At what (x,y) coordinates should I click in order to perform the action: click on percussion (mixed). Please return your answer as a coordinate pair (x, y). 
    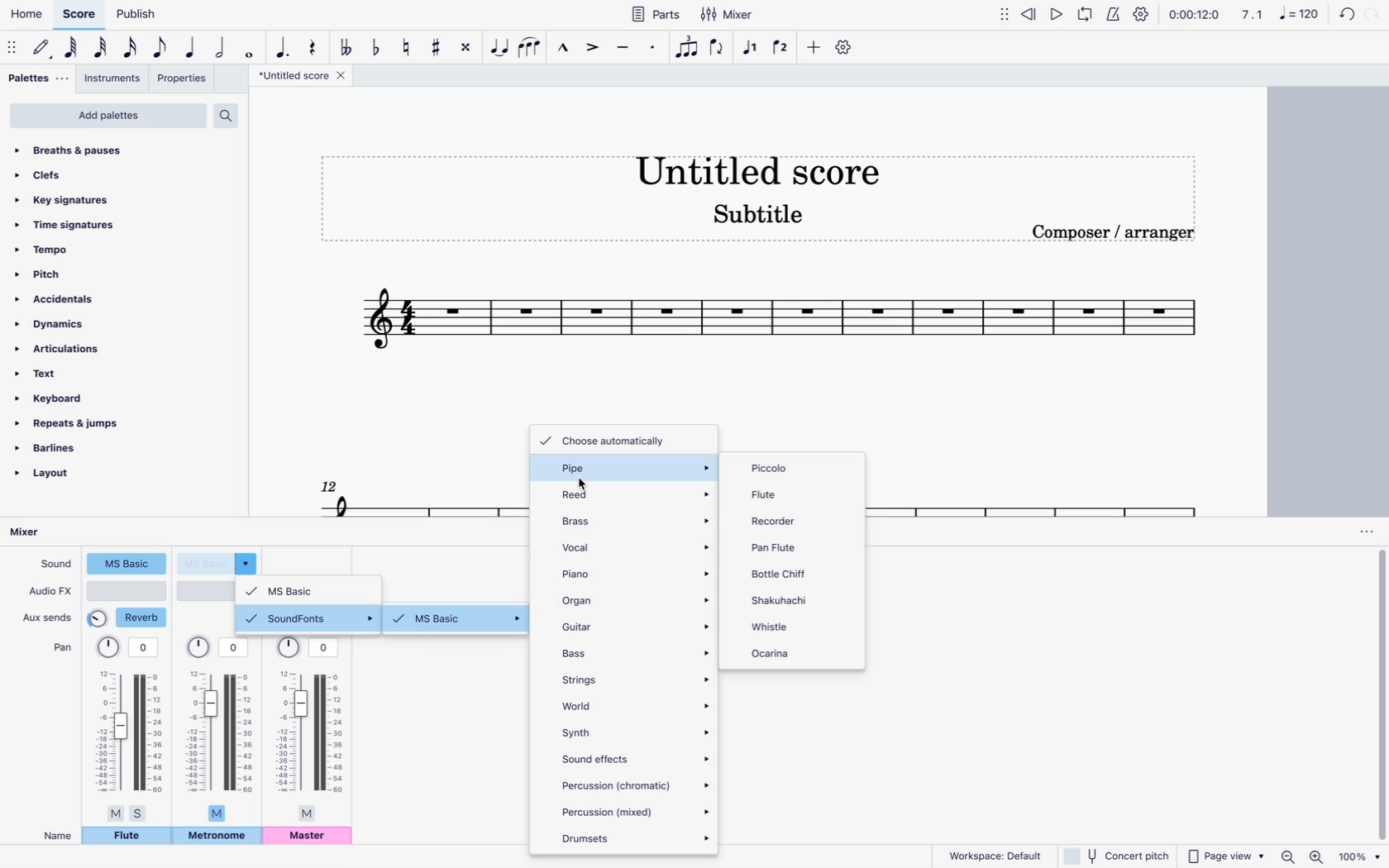
    Looking at the image, I should click on (635, 812).